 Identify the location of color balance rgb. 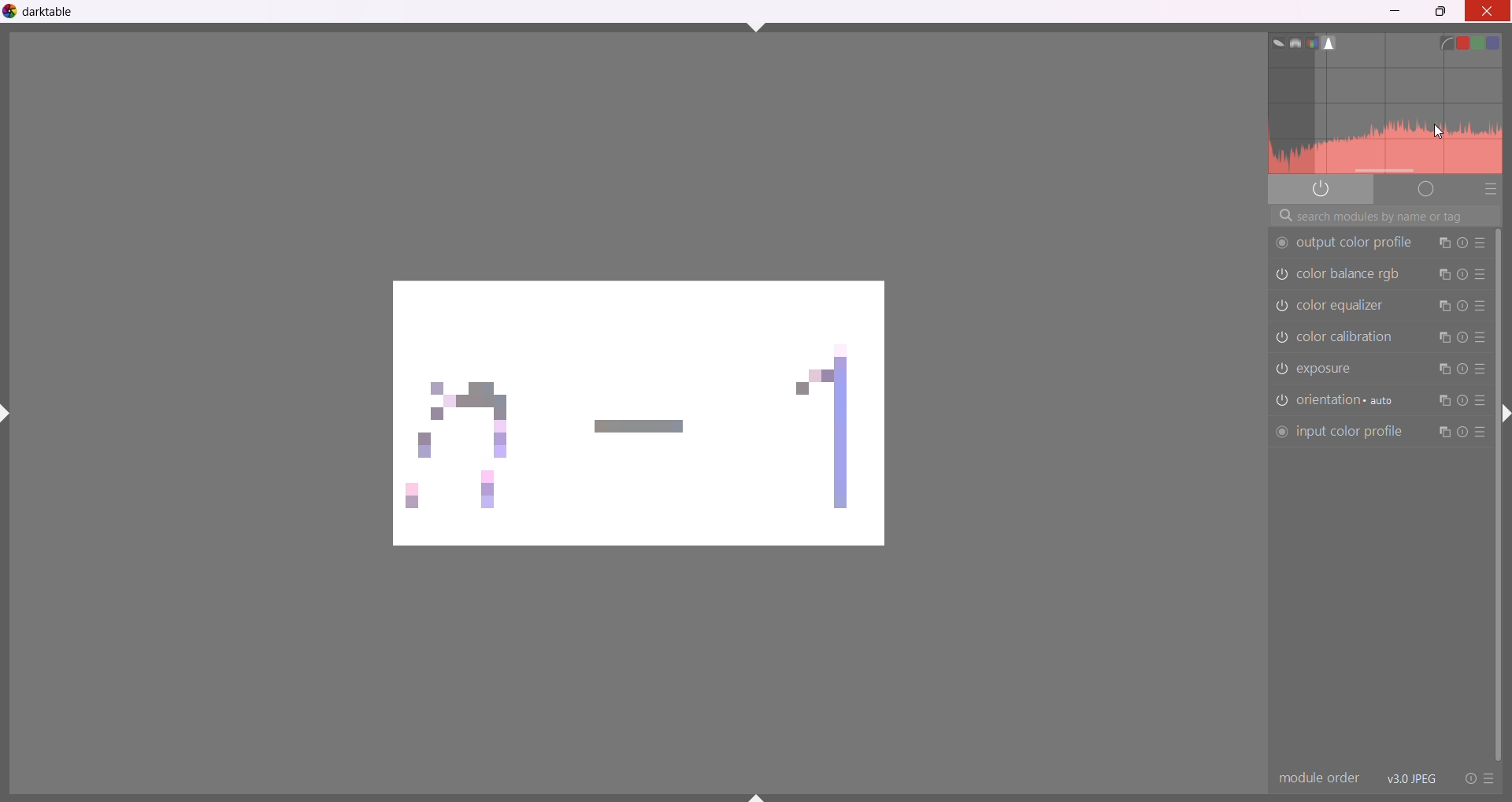
(1352, 277).